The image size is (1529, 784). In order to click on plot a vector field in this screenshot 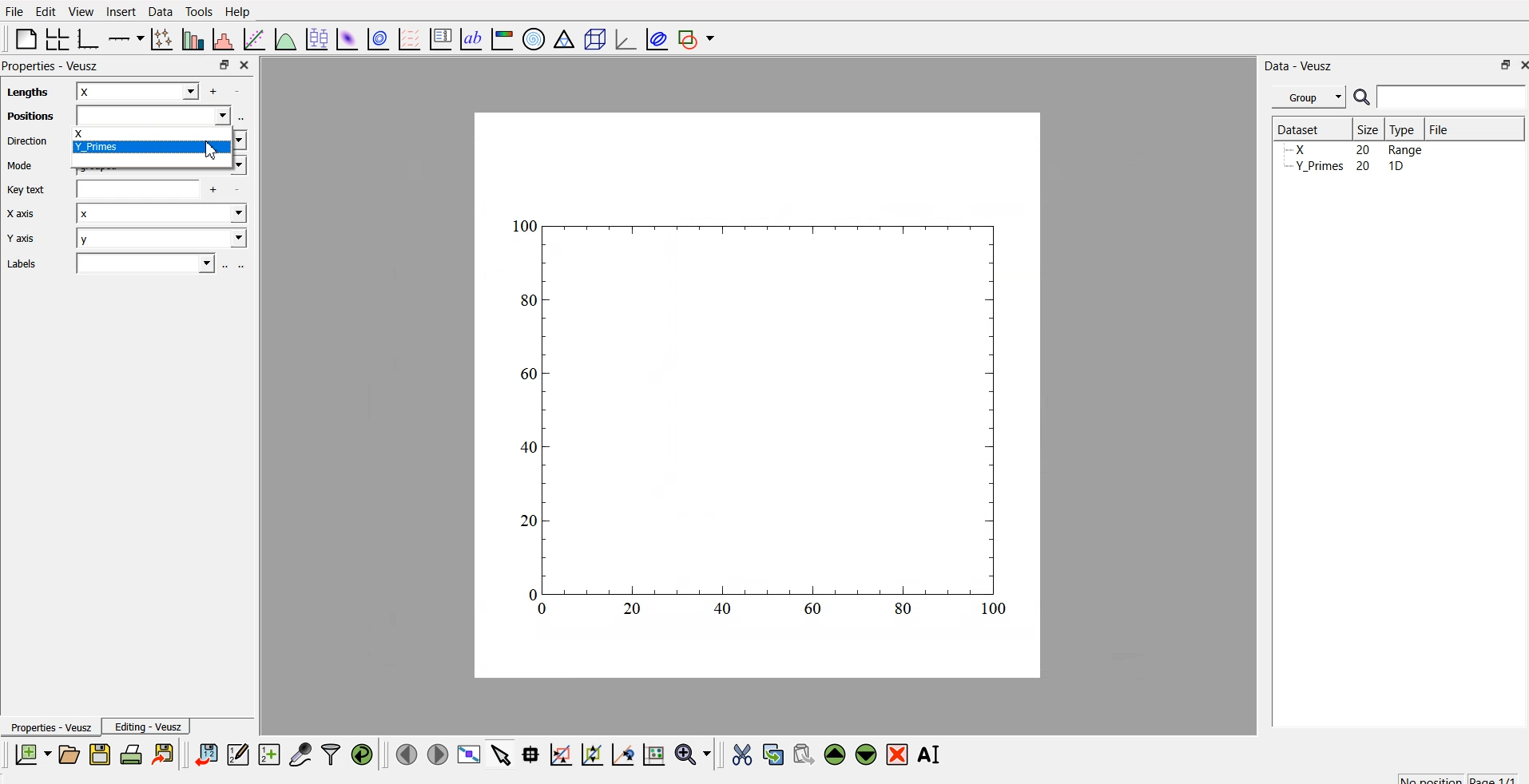, I will do `click(412, 38)`.